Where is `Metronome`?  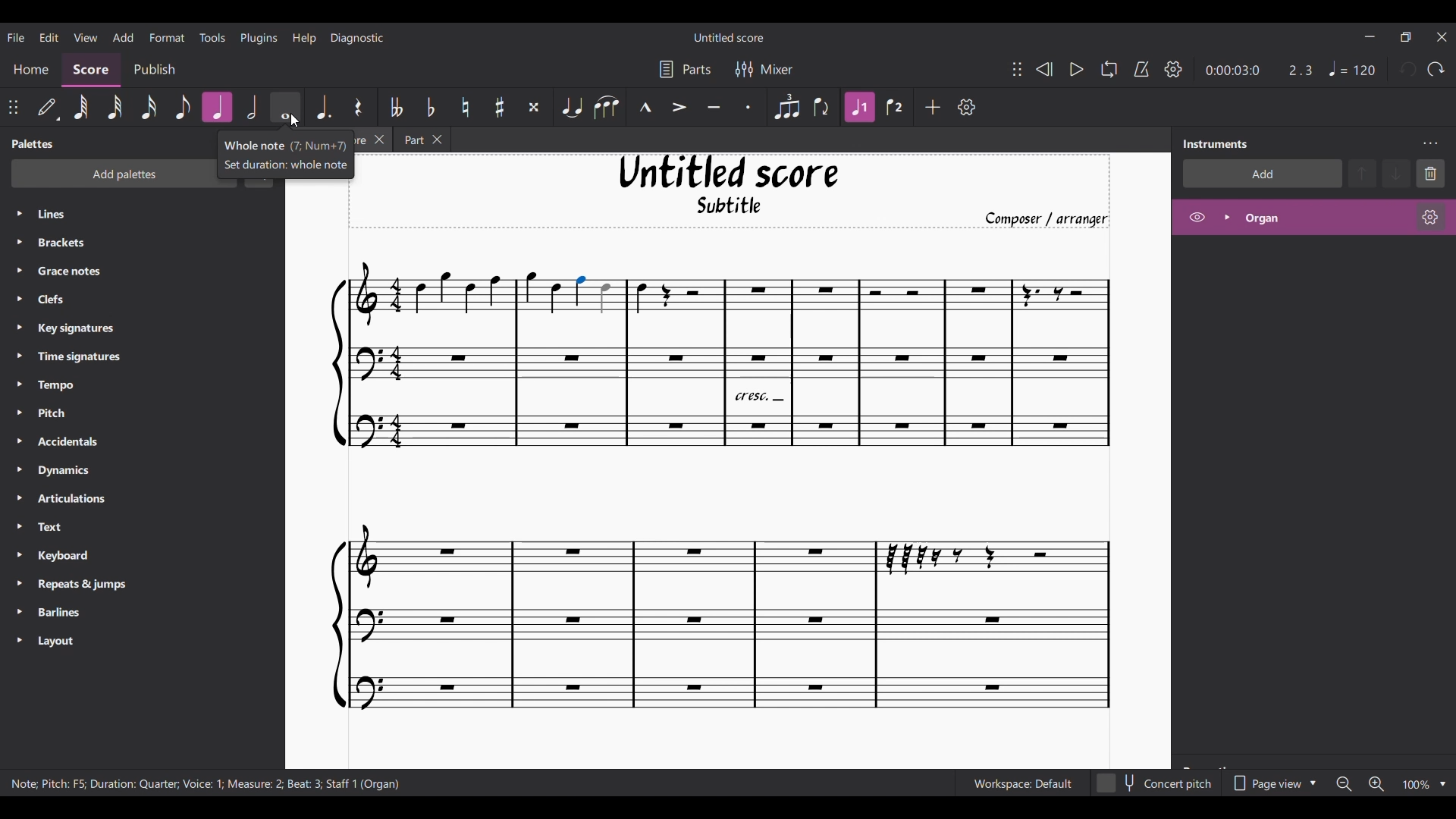 Metronome is located at coordinates (1141, 69).